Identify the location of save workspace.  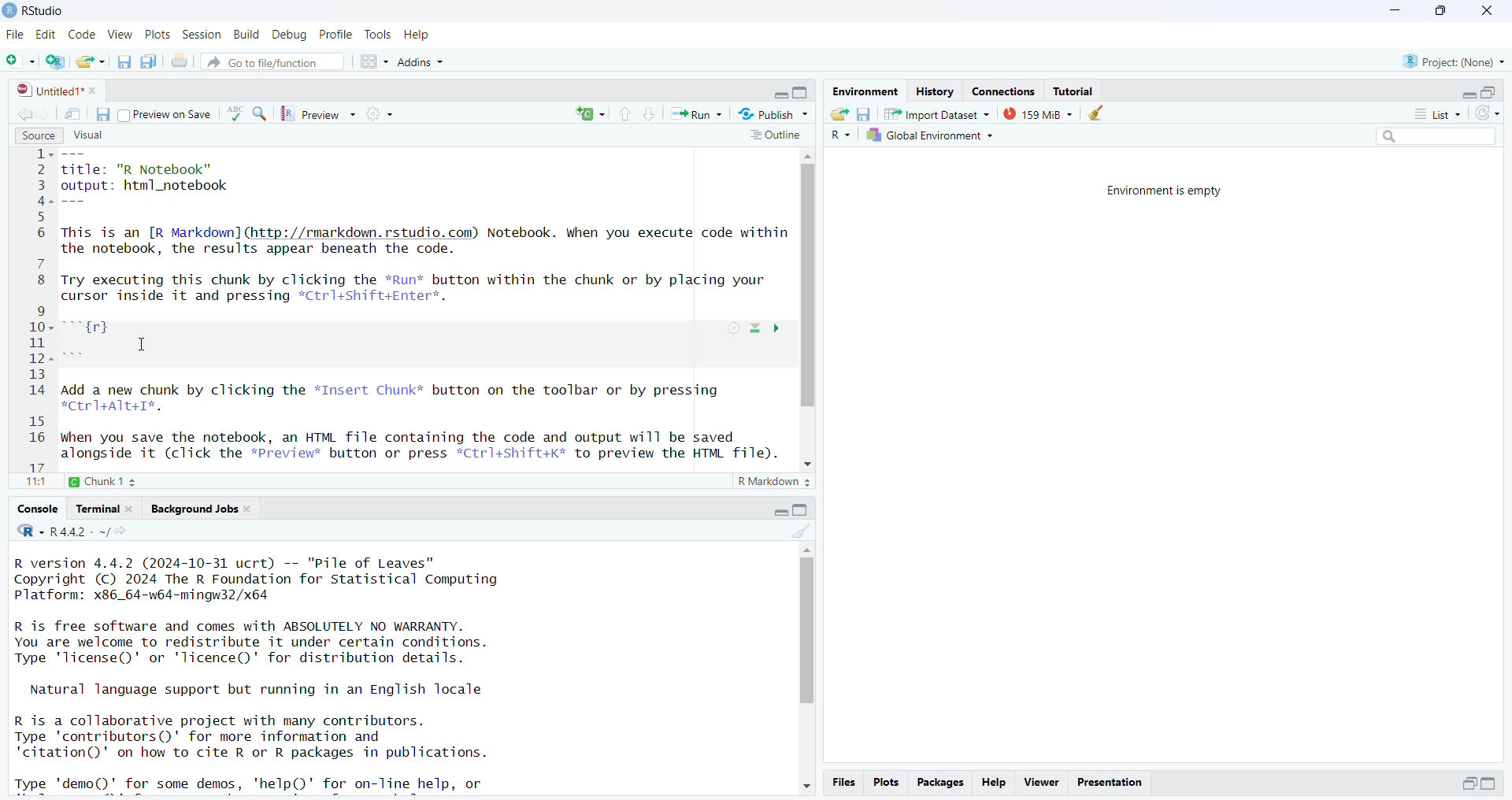
(864, 113).